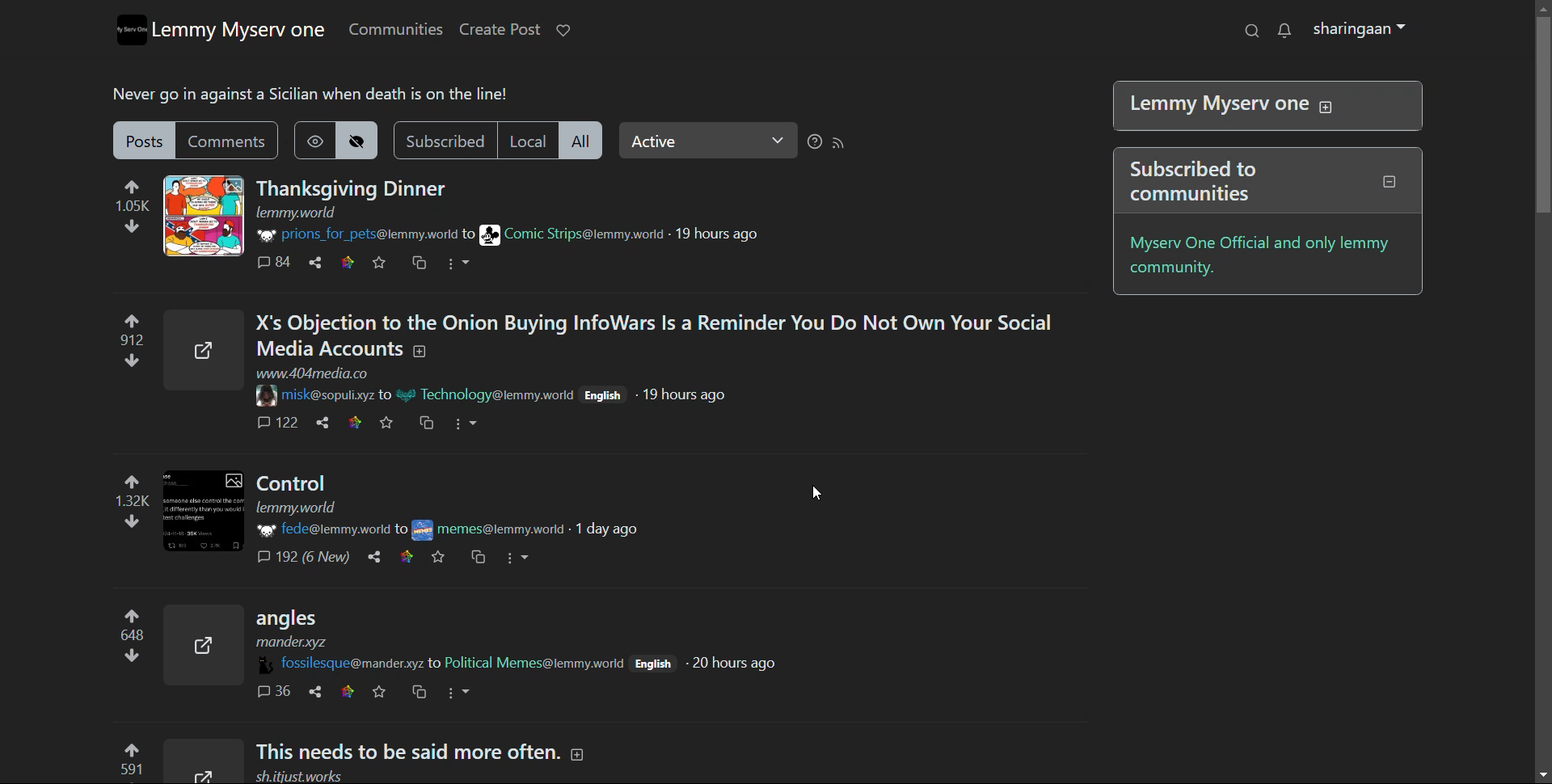  Describe the element at coordinates (414, 489) in the screenshot. I see `post on "Control"` at that location.